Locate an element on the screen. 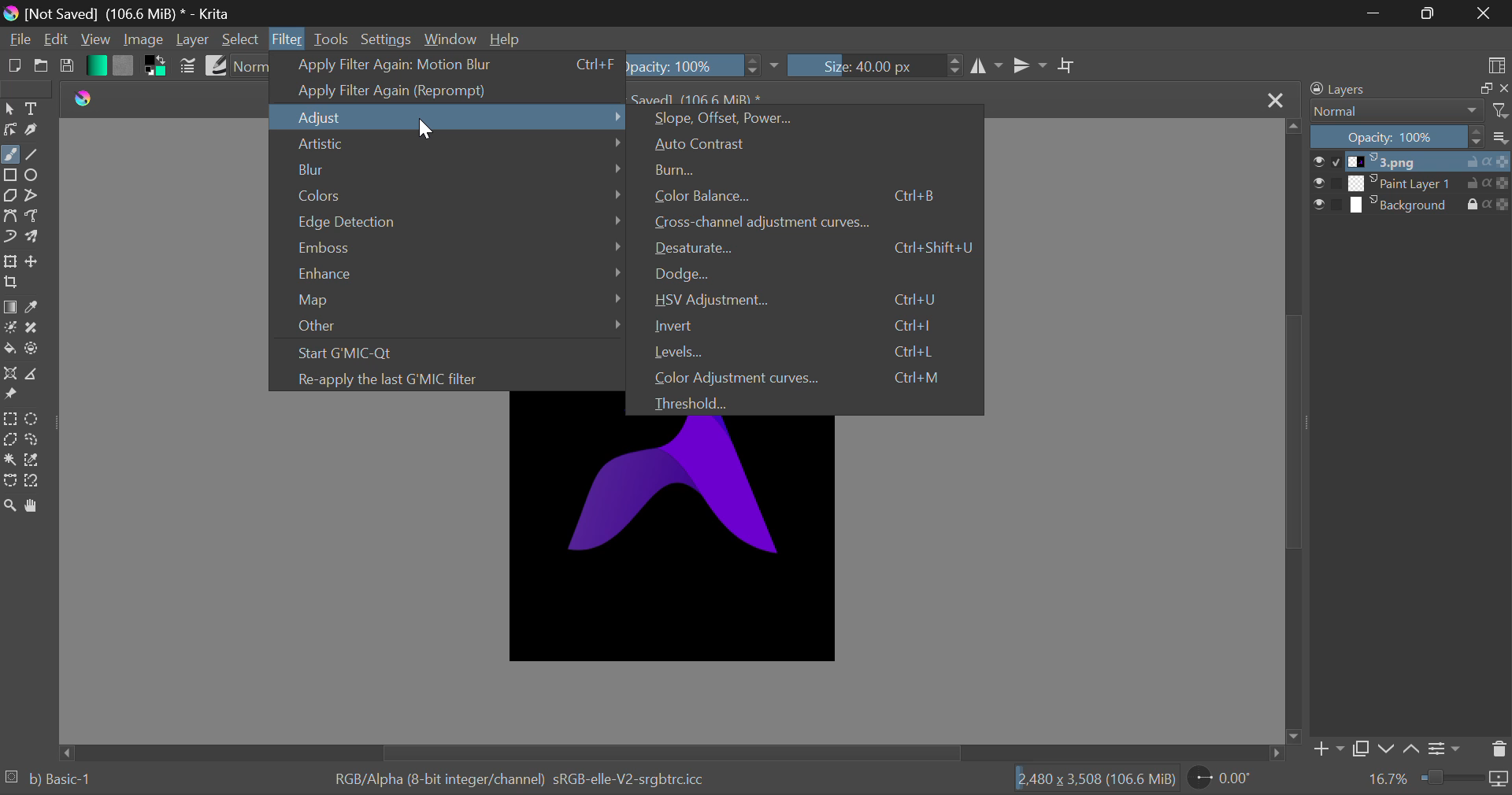 Image resolution: width=1512 pixels, height=795 pixels. Freehand Tool is located at coordinates (9, 154).